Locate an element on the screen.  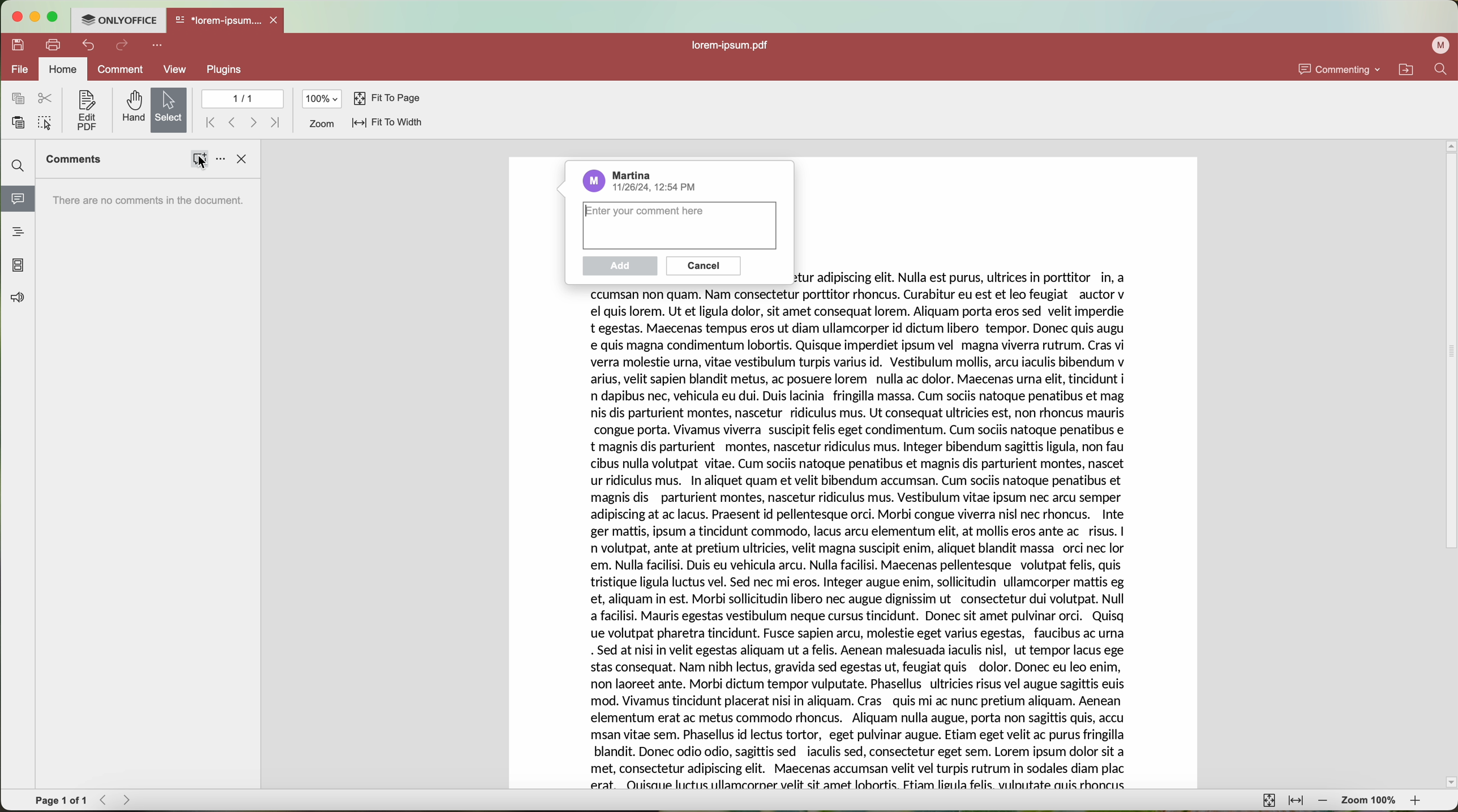
fit to width is located at coordinates (1297, 803).